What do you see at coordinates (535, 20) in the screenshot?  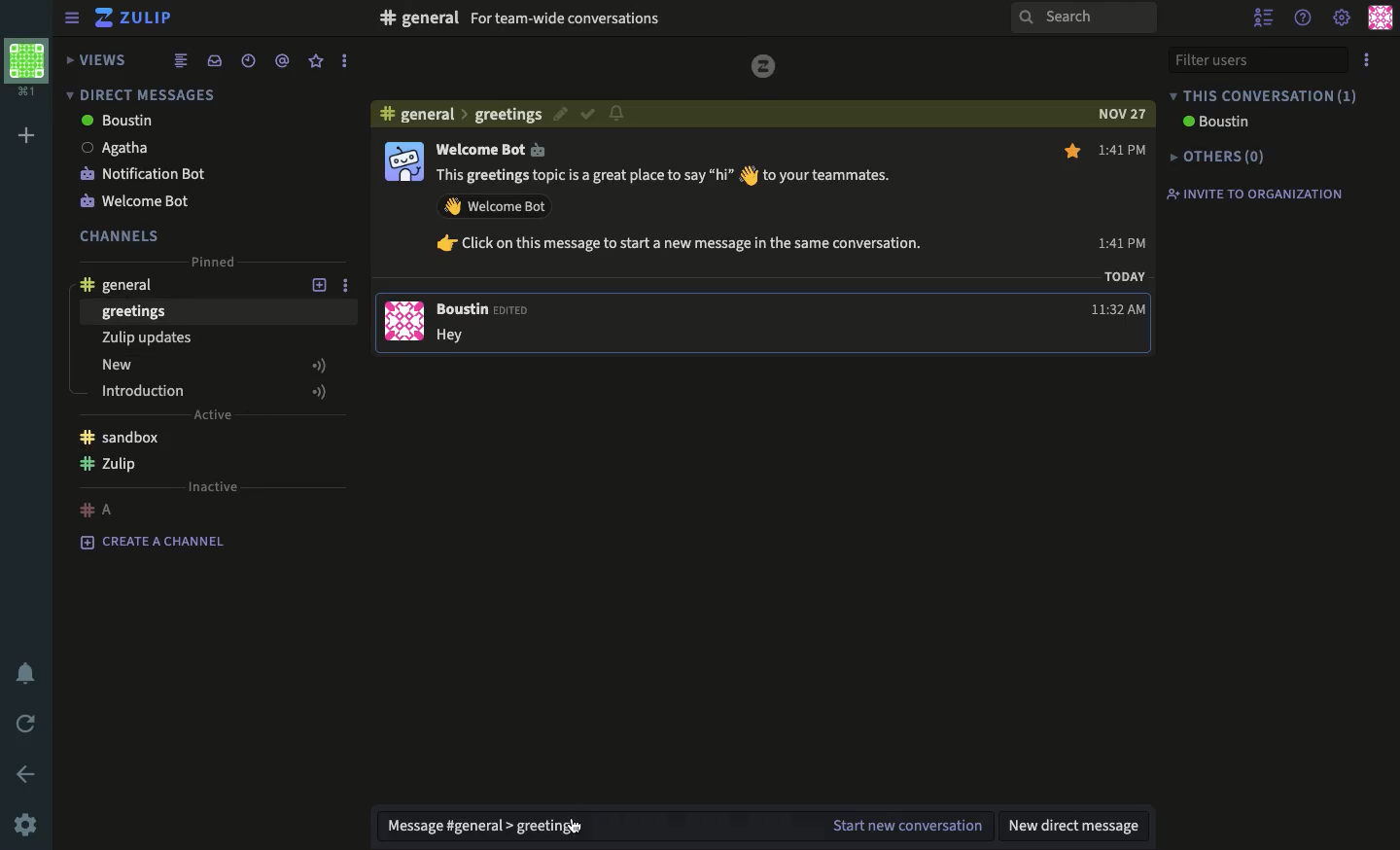 I see `#F general For team-wide conversations` at bounding box center [535, 20].